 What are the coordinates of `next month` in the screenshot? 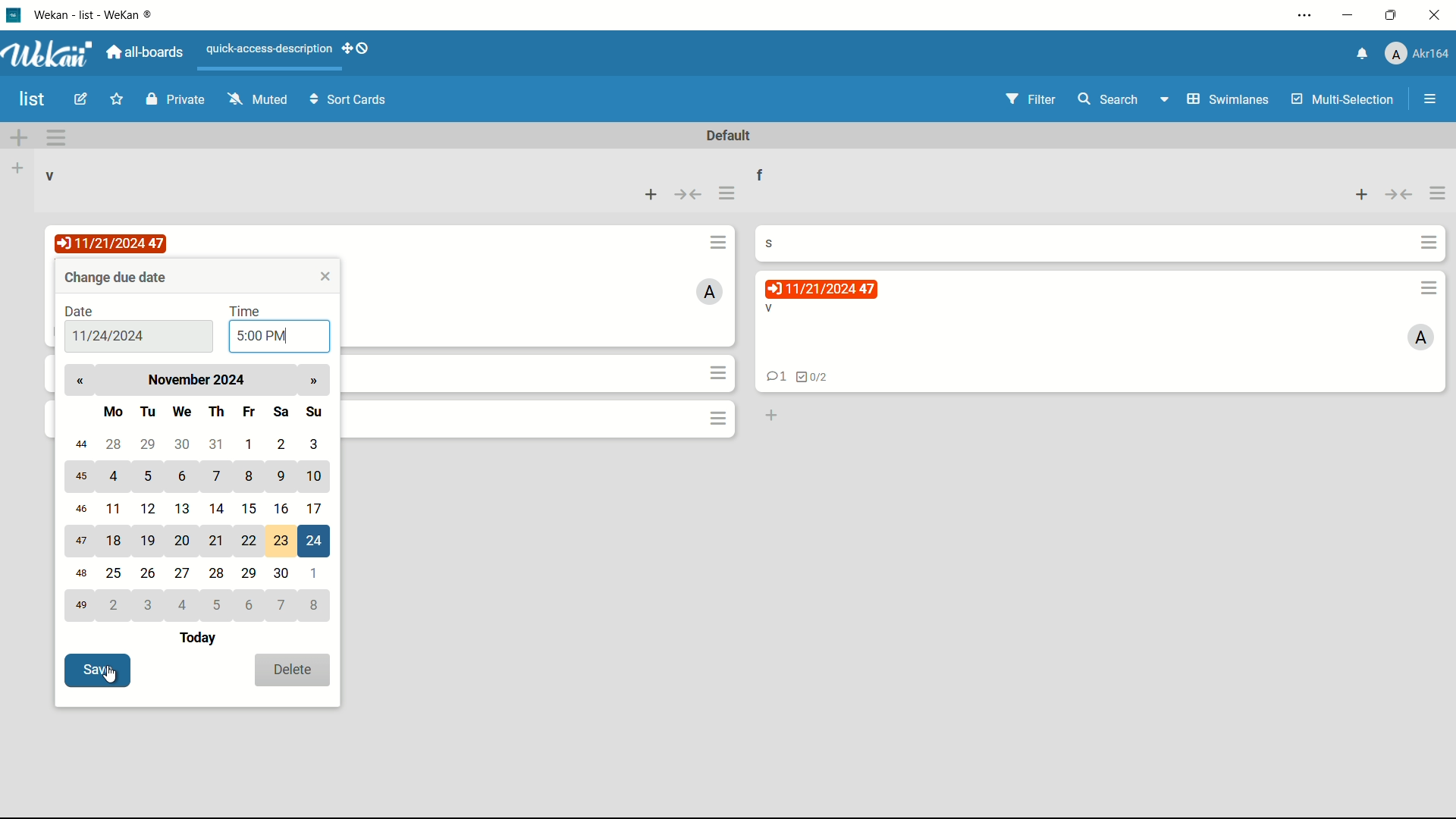 It's located at (312, 381).